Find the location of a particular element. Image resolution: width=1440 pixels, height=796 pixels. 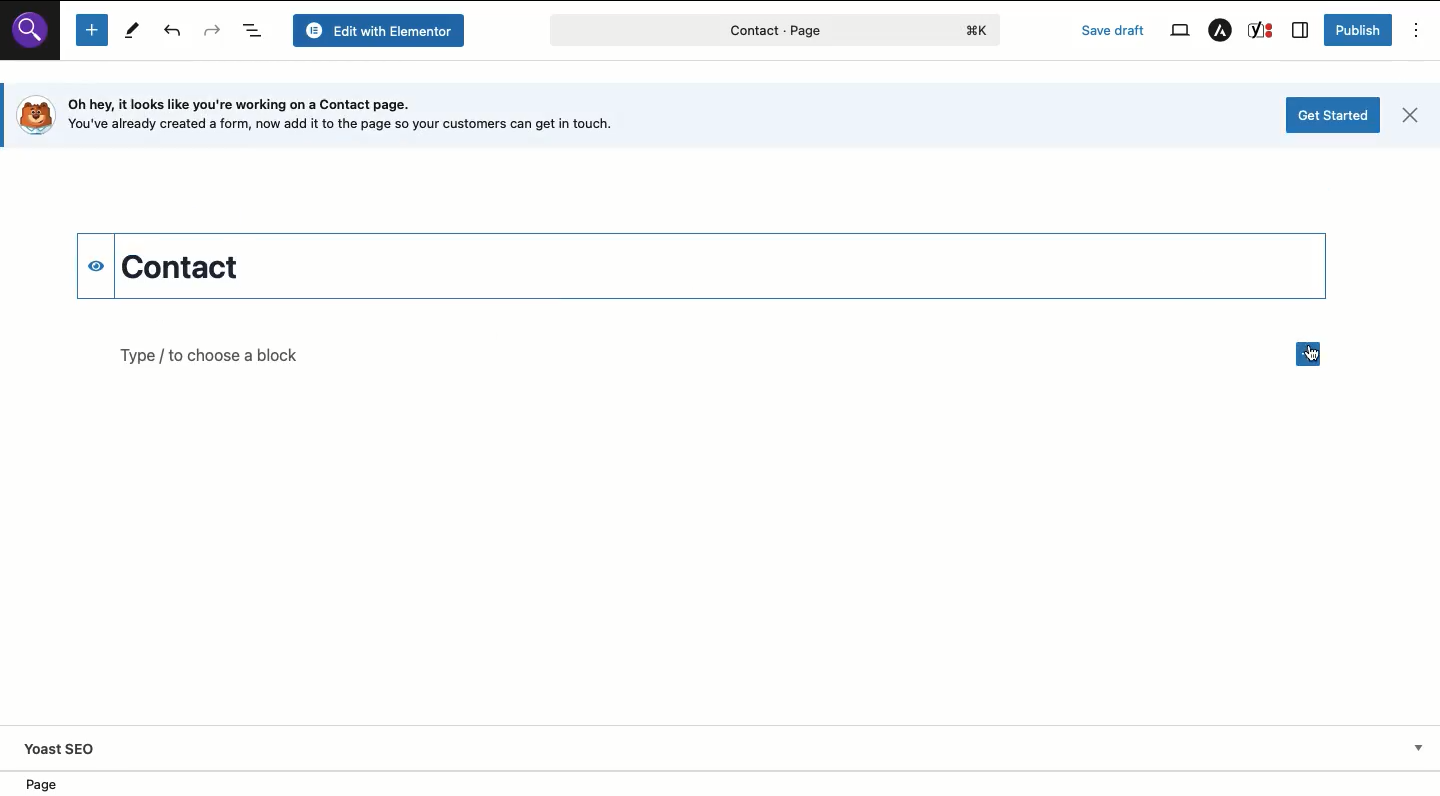

Options is located at coordinates (1417, 30).